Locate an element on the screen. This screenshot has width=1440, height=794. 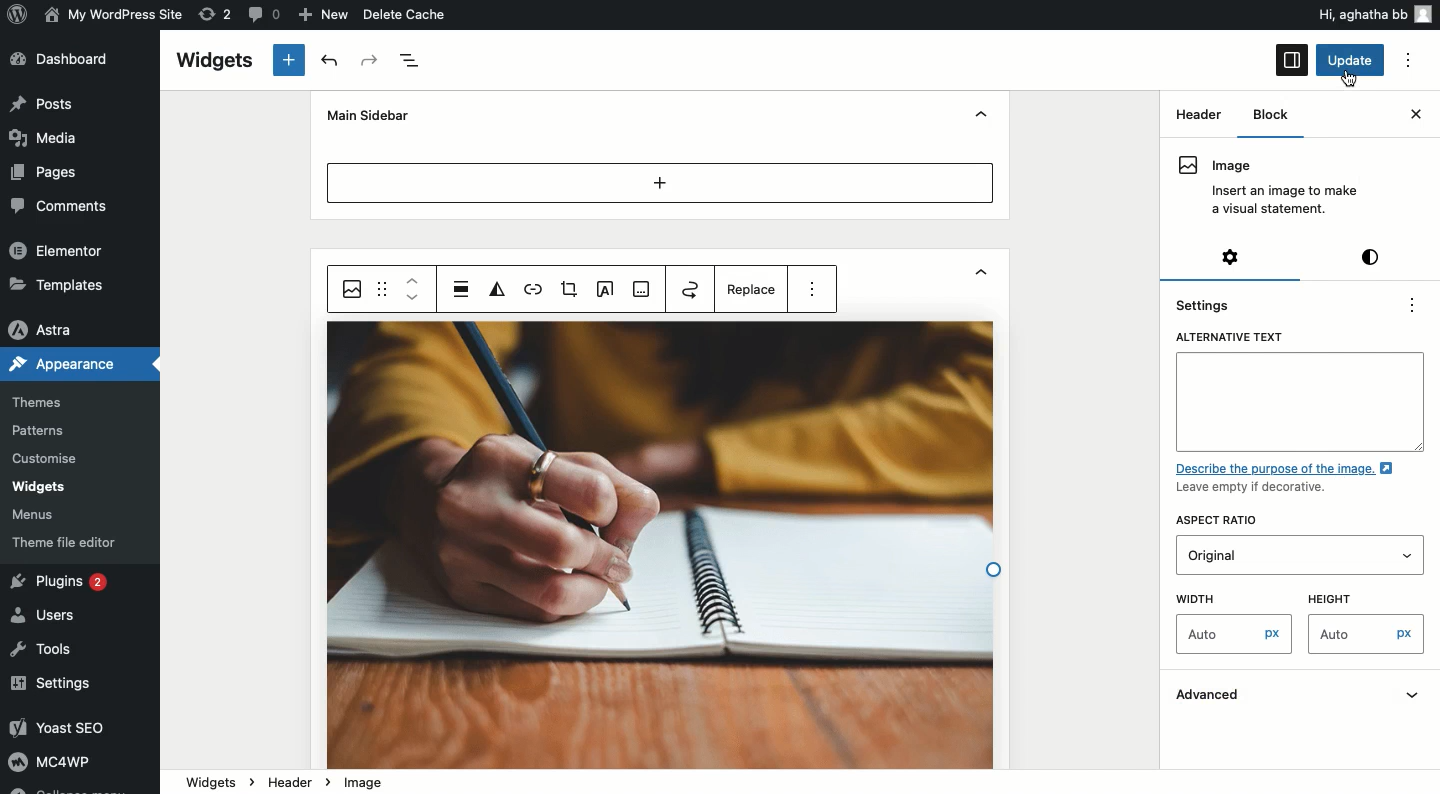
Posts is located at coordinates (44, 103).